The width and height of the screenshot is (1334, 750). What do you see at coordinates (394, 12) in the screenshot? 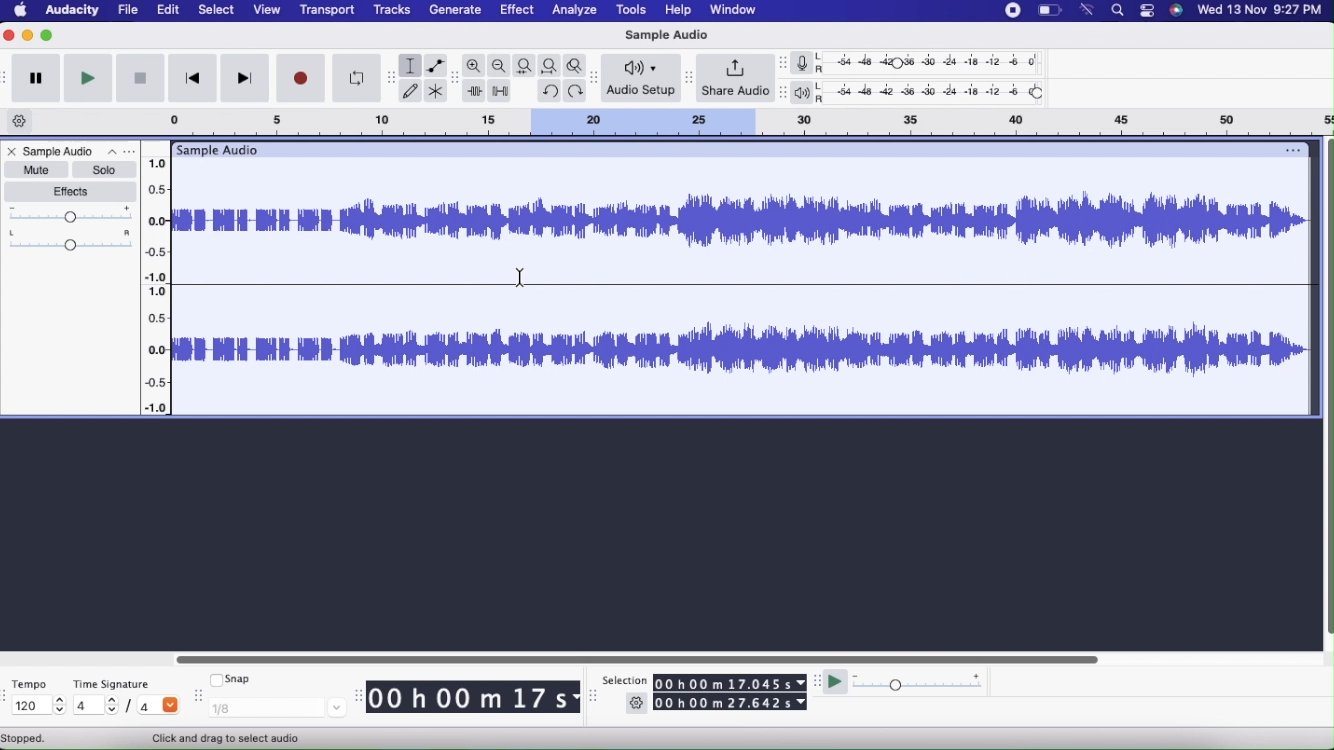
I see `tracks` at bounding box center [394, 12].